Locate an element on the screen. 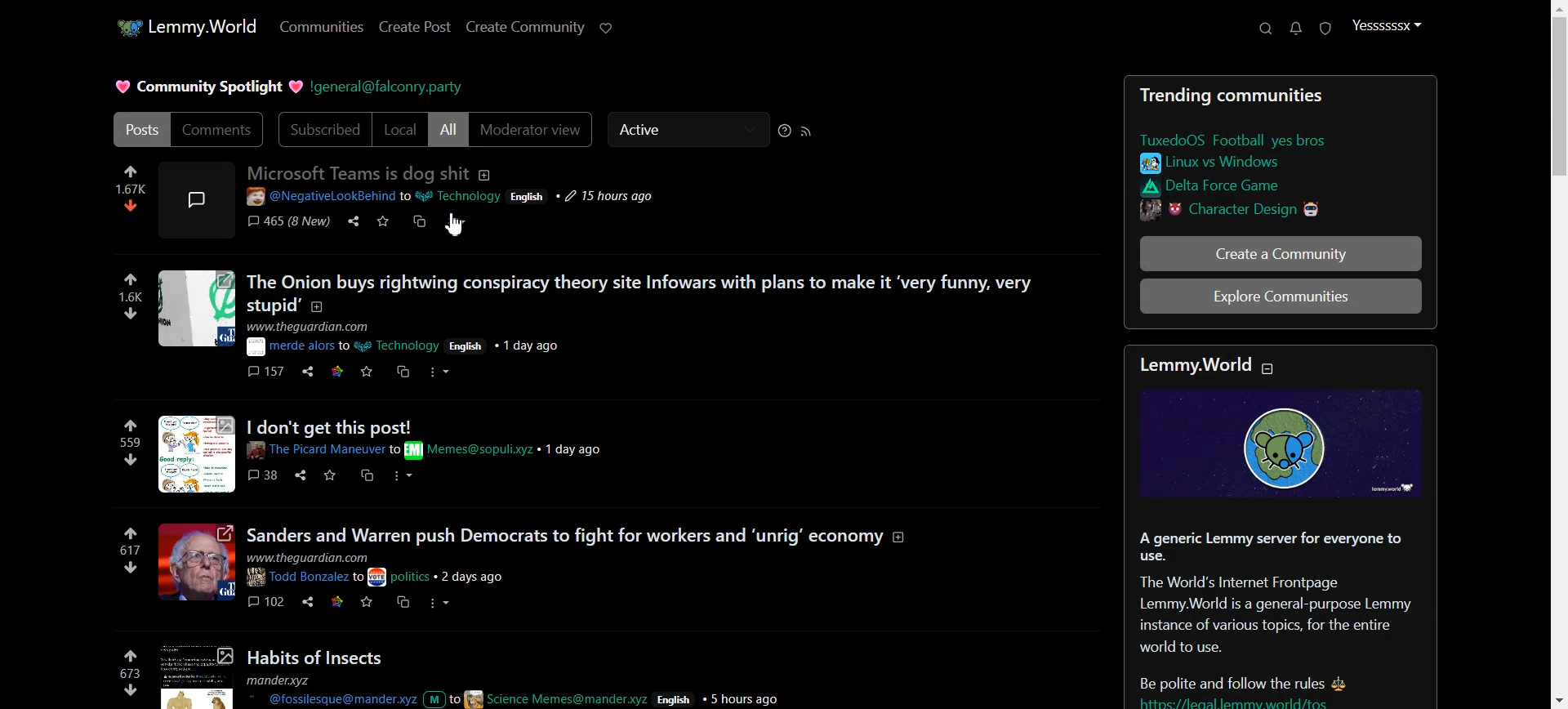  dislike is located at coordinates (131, 569).